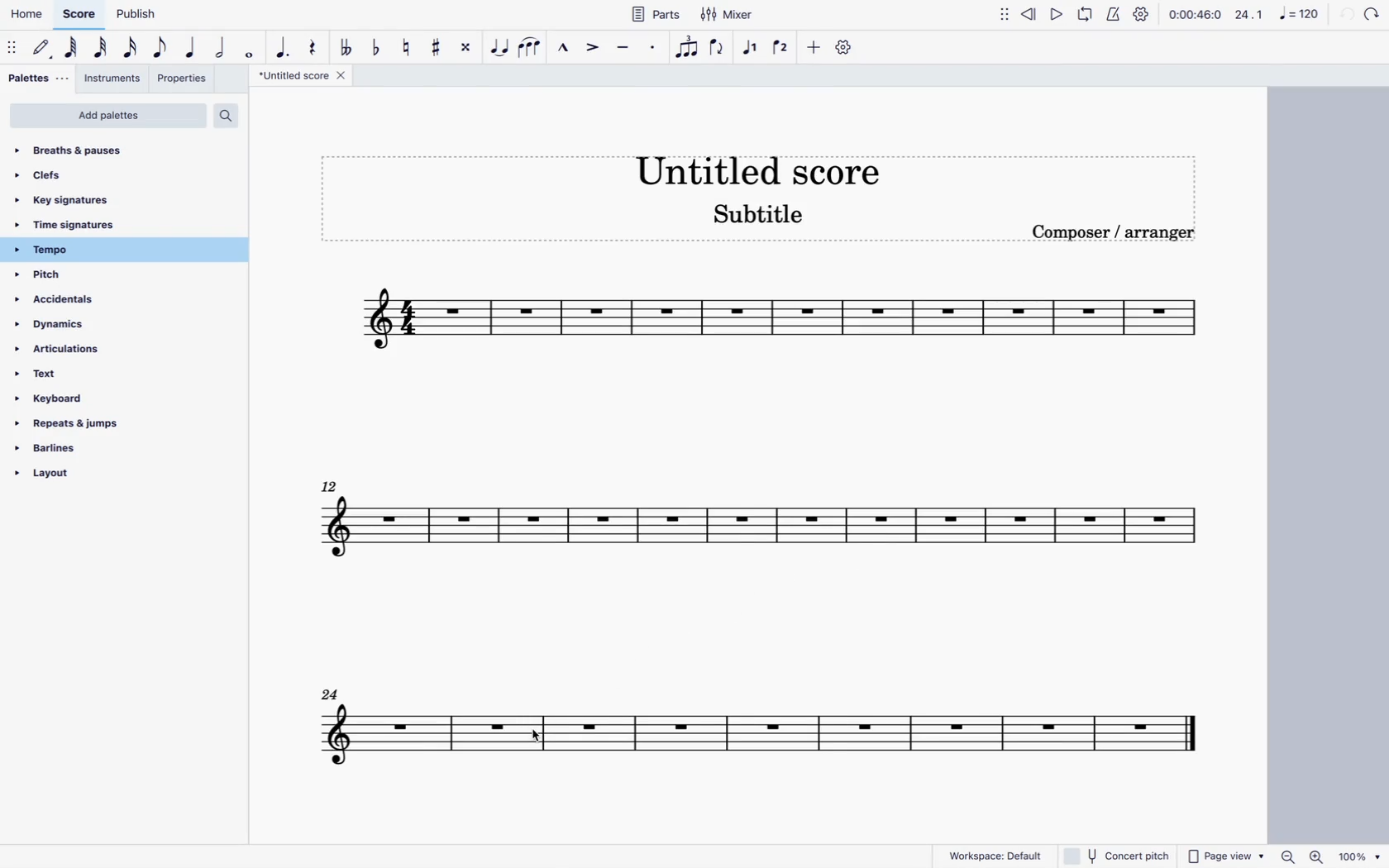  I want to click on composer / arranger, so click(1119, 236).